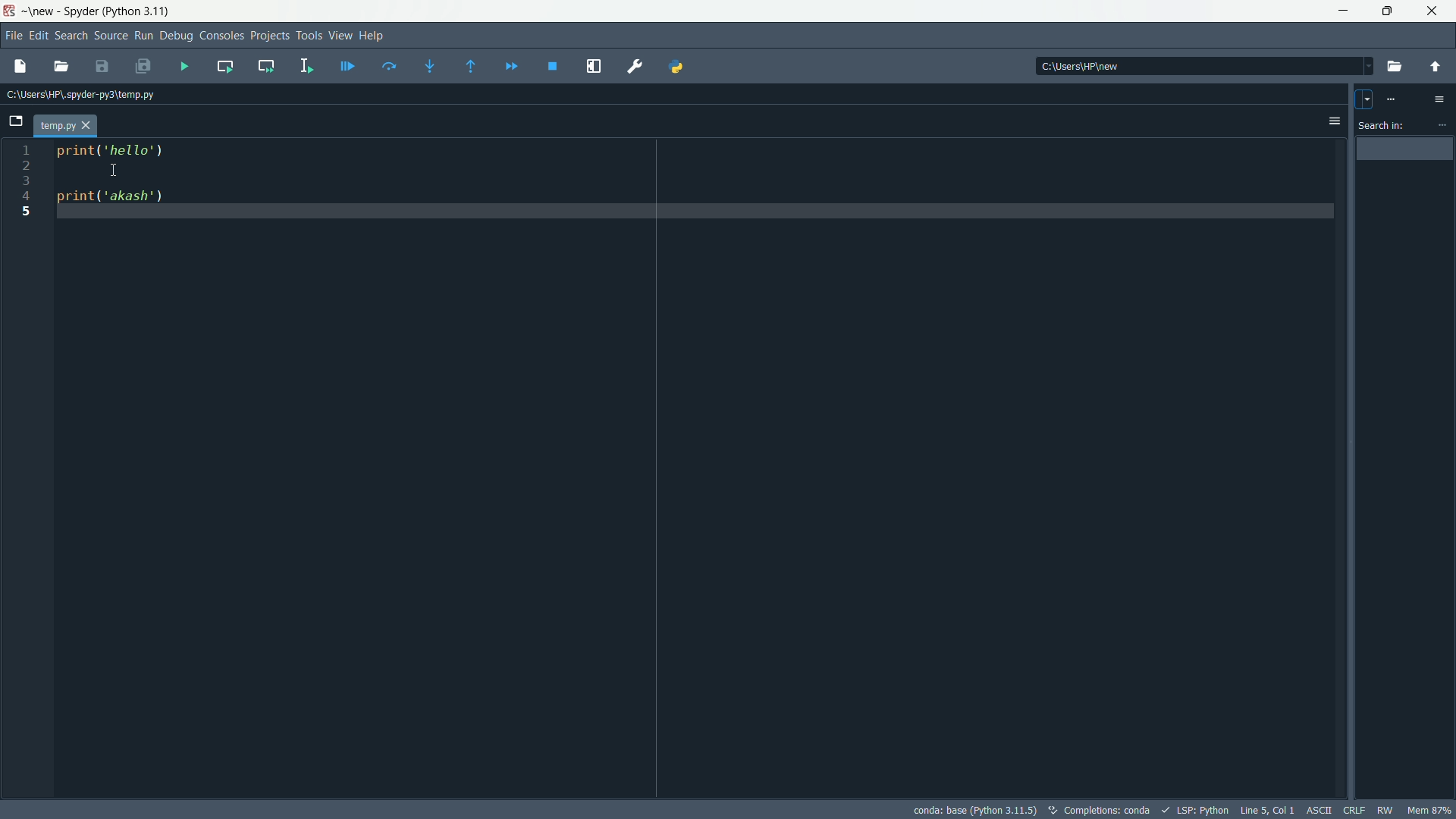 The width and height of the screenshot is (1456, 819). I want to click on memory usage, so click(1429, 810).